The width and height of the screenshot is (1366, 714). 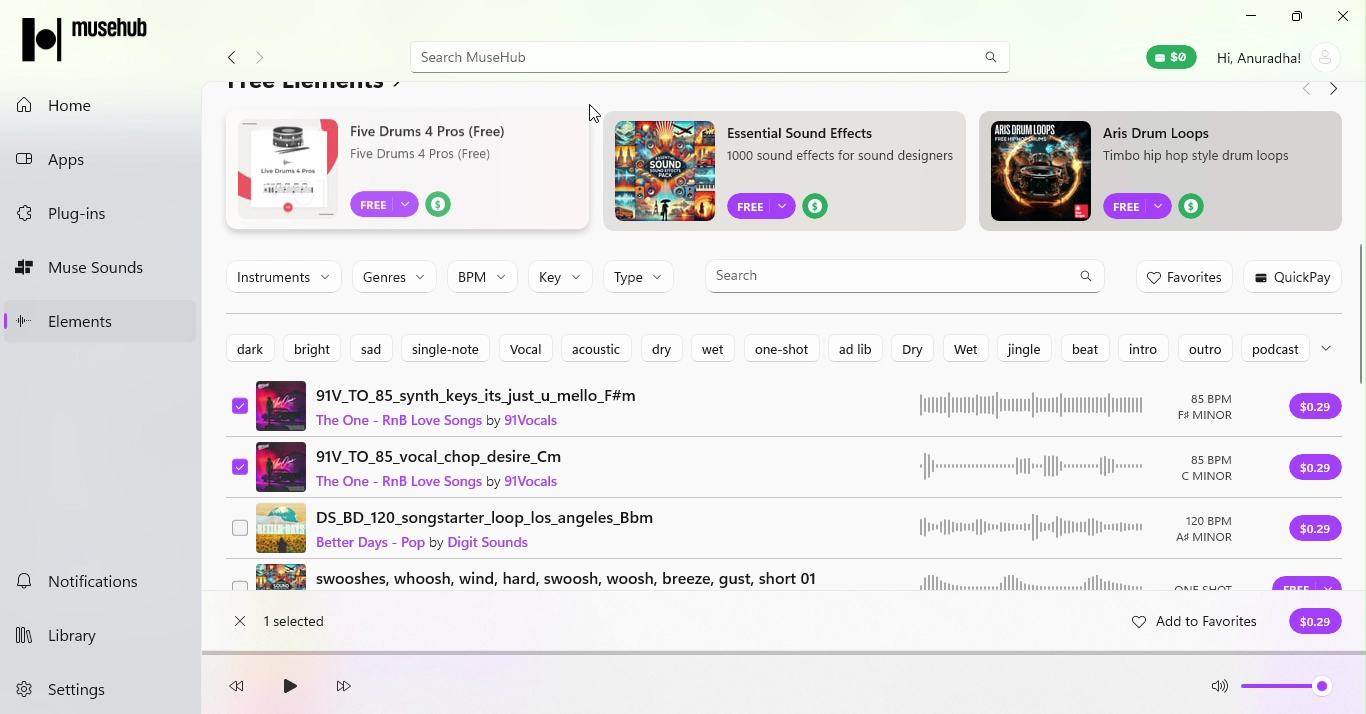 I want to click on Elements, so click(x=102, y=320).